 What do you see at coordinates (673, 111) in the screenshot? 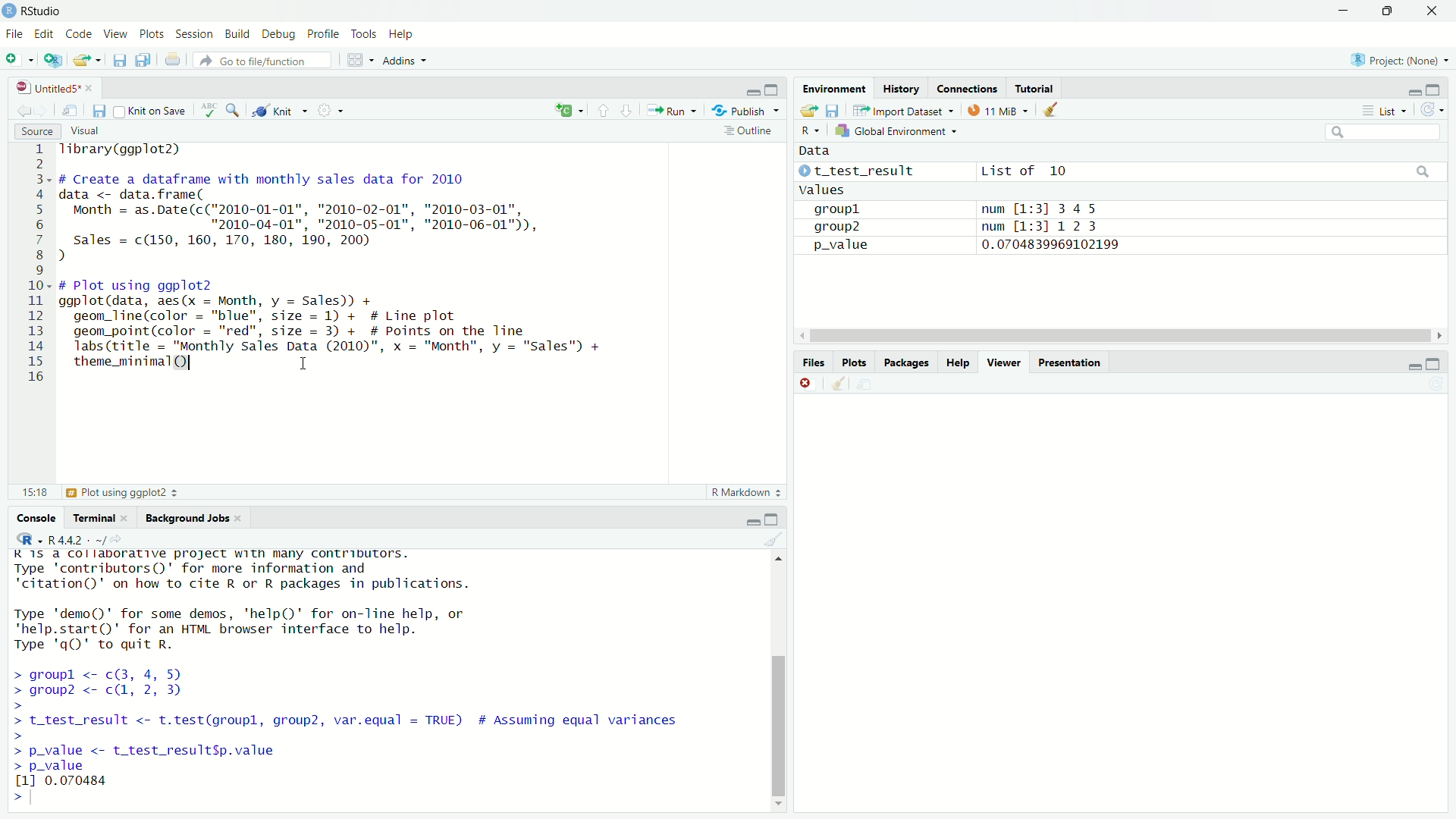
I see `Run ` at bounding box center [673, 111].